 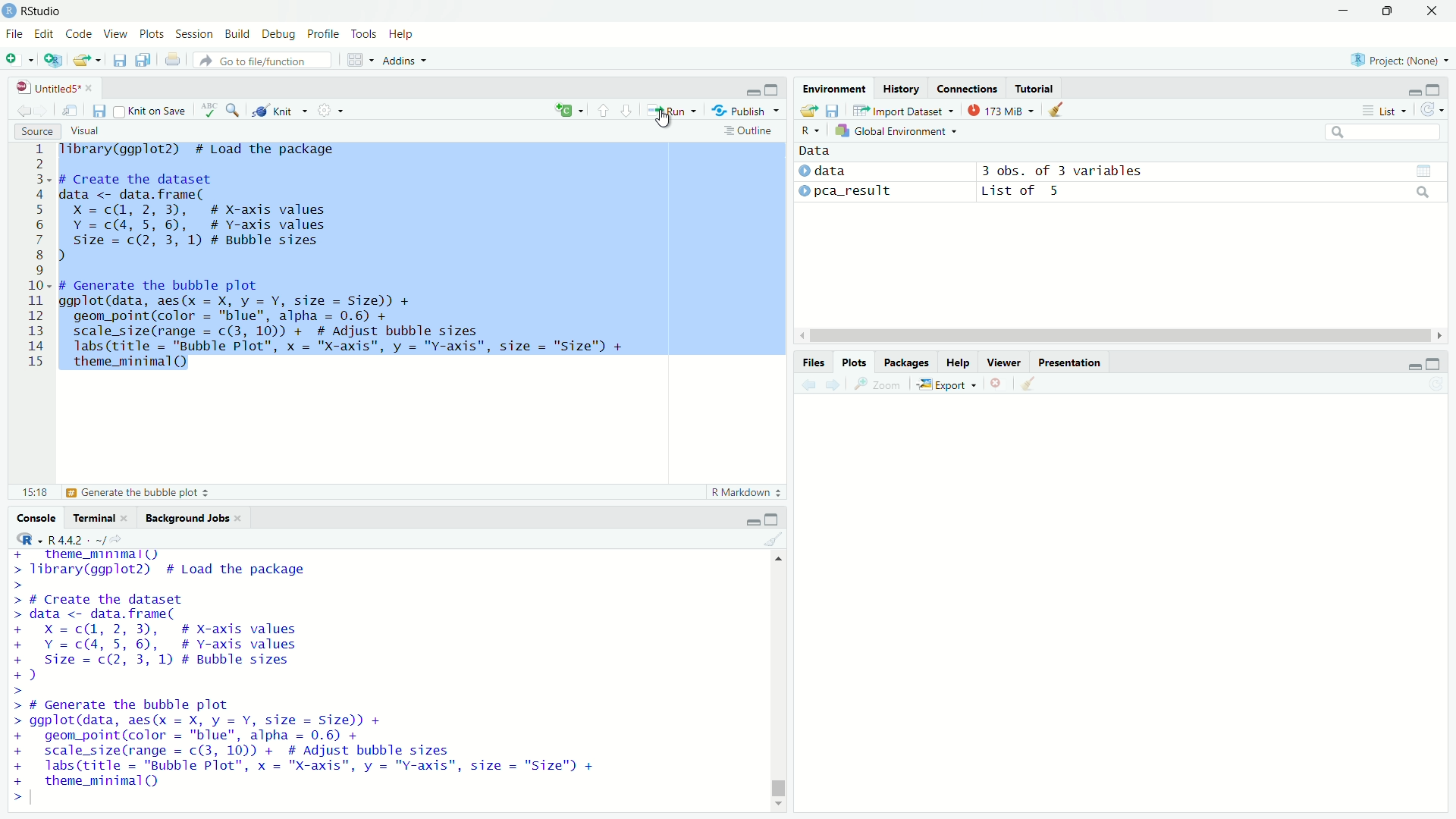 What do you see at coordinates (53, 60) in the screenshot?
I see `new project` at bounding box center [53, 60].